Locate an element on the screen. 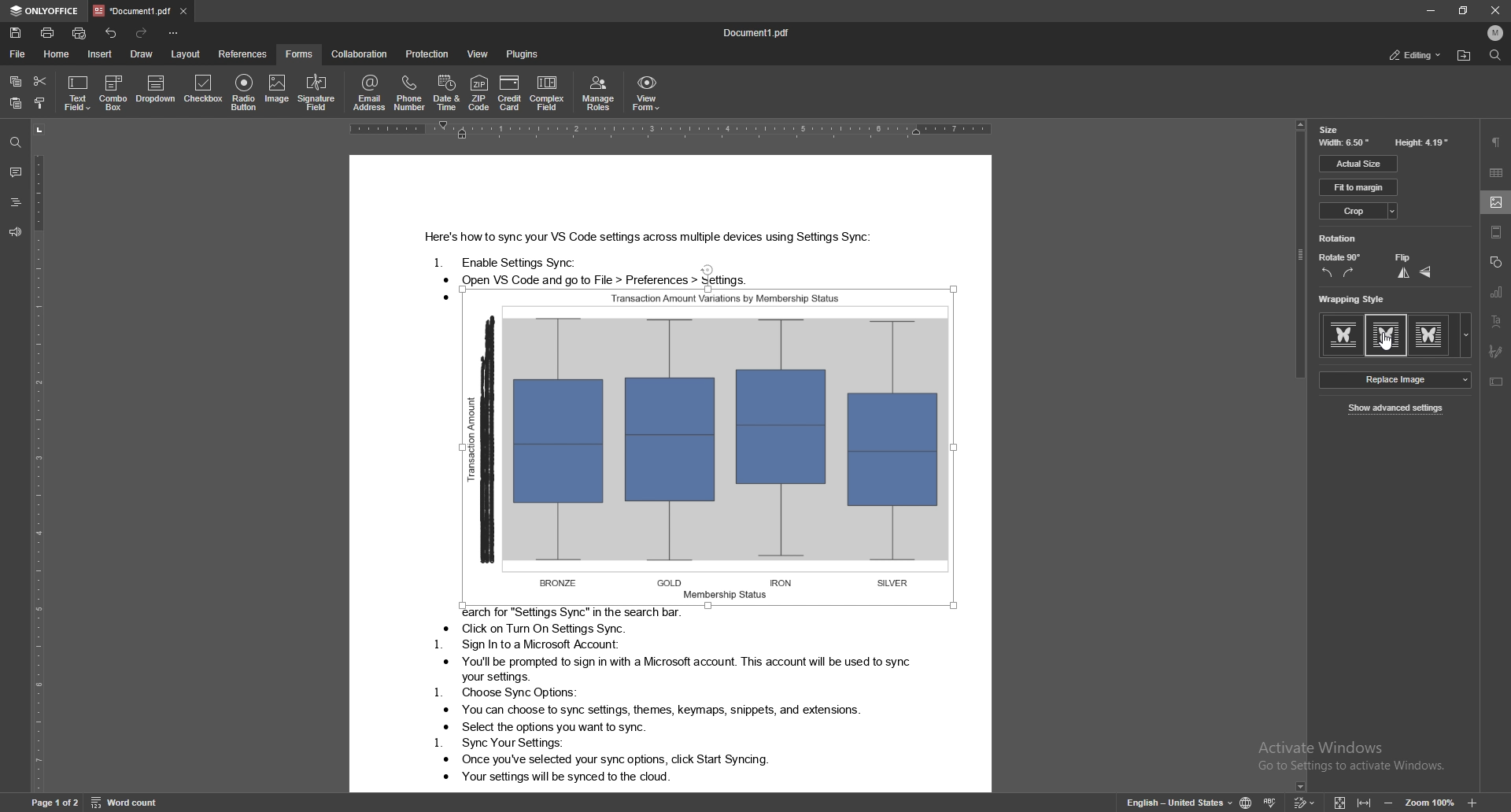 This screenshot has height=812, width=1511. radio button is located at coordinates (244, 91).